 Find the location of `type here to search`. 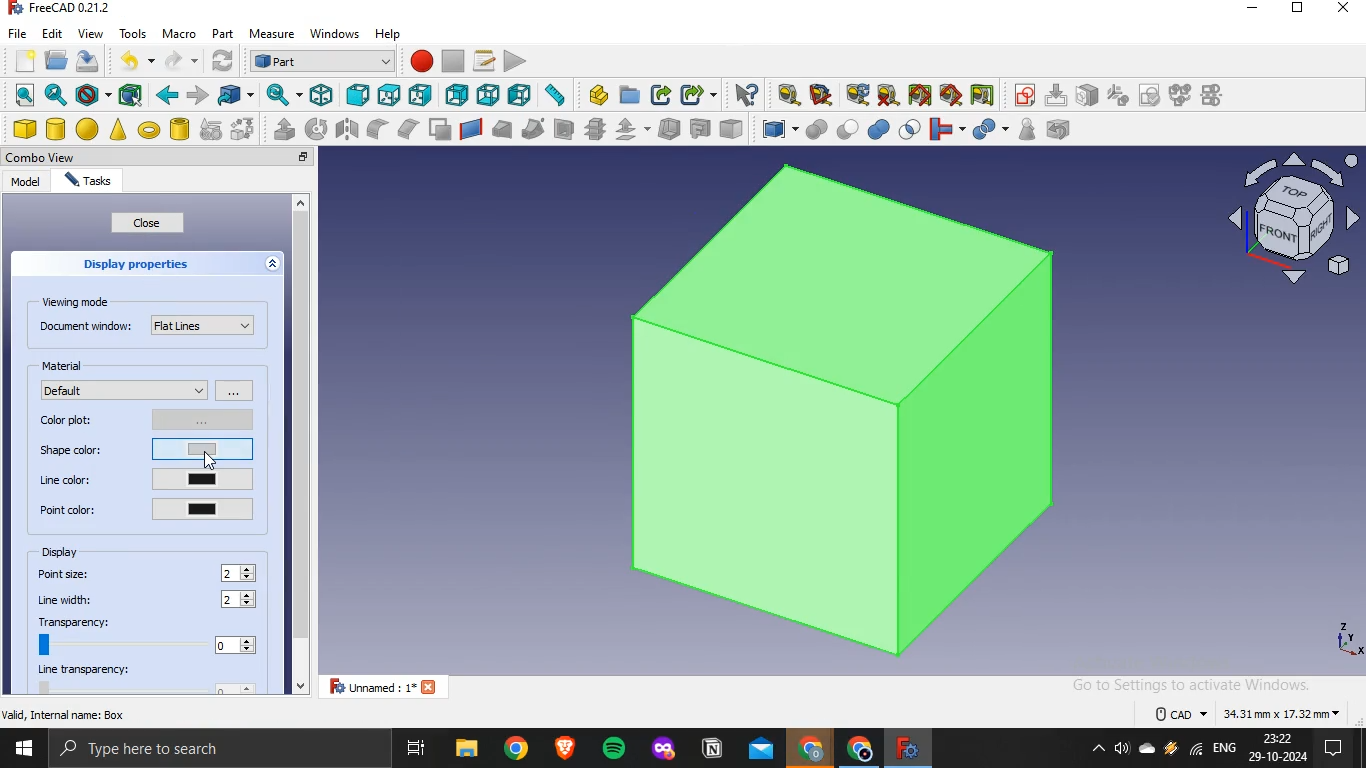

type here to search is located at coordinates (147, 750).